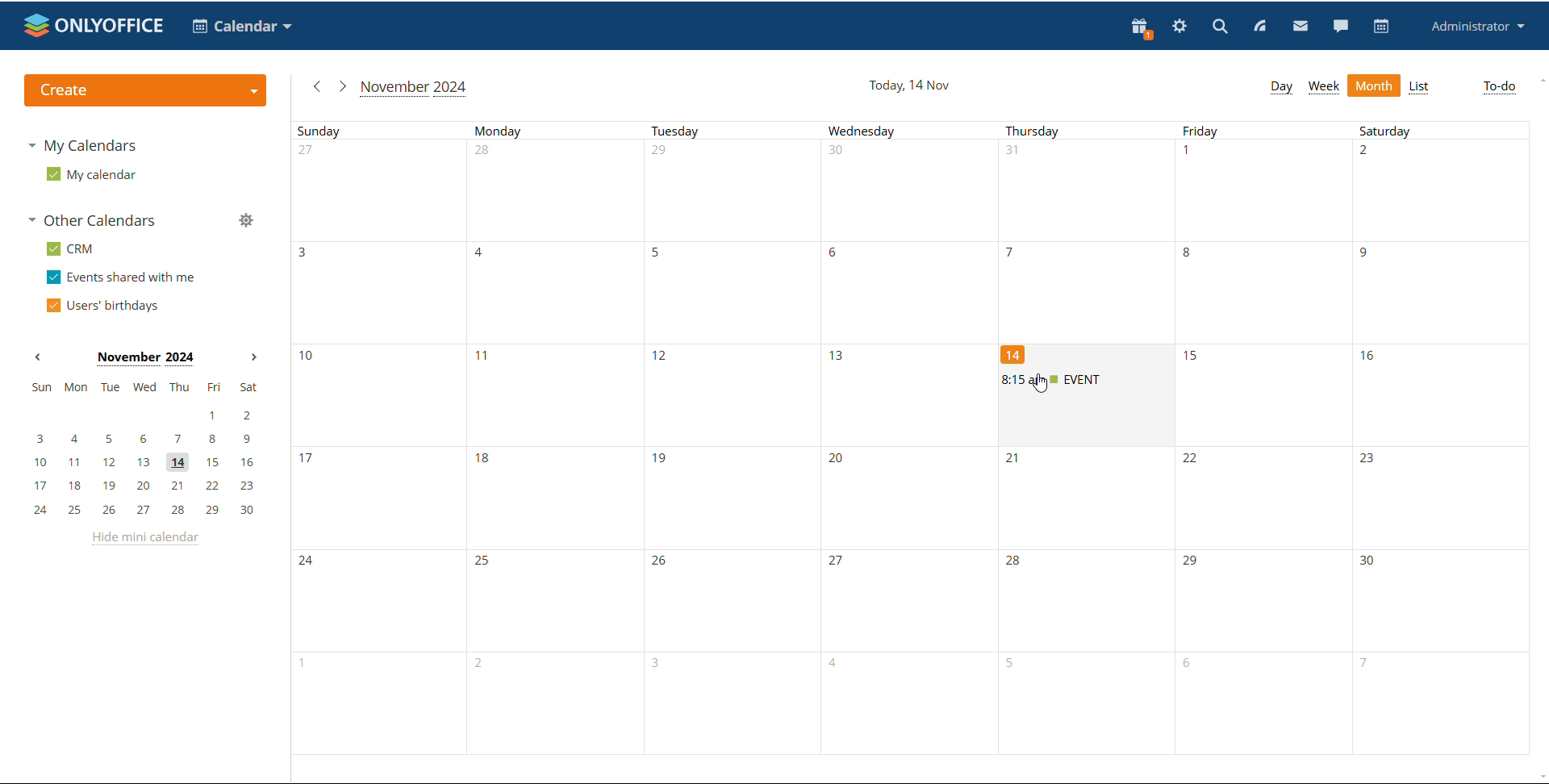 The height and width of the screenshot is (784, 1549). Describe the element at coordinates (1220, 25) in the screenshot. I see `search` at that location.